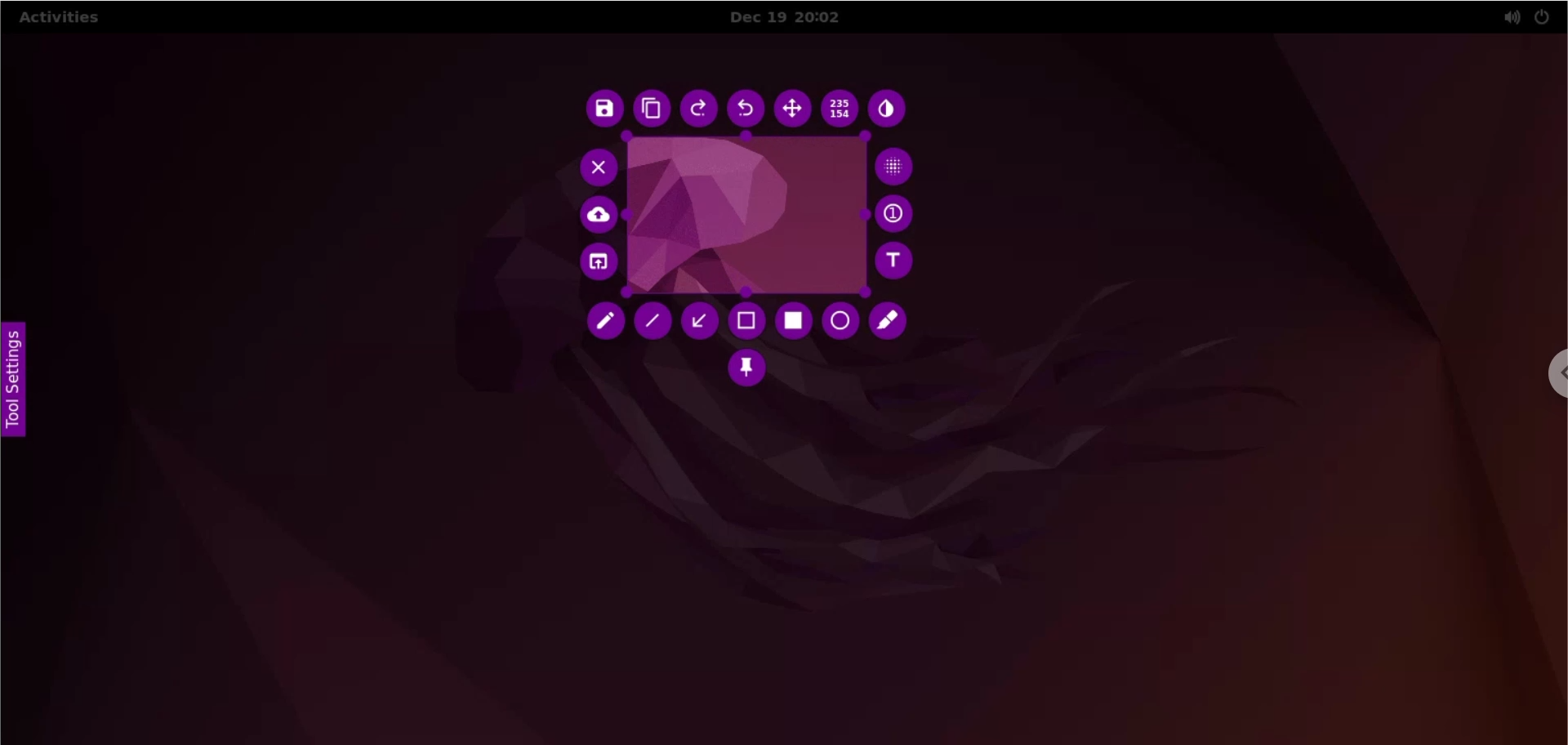  What do you see at coordinates (795, 110) in the screenshot?
I see `move selection` at bounding box center [795, 110].